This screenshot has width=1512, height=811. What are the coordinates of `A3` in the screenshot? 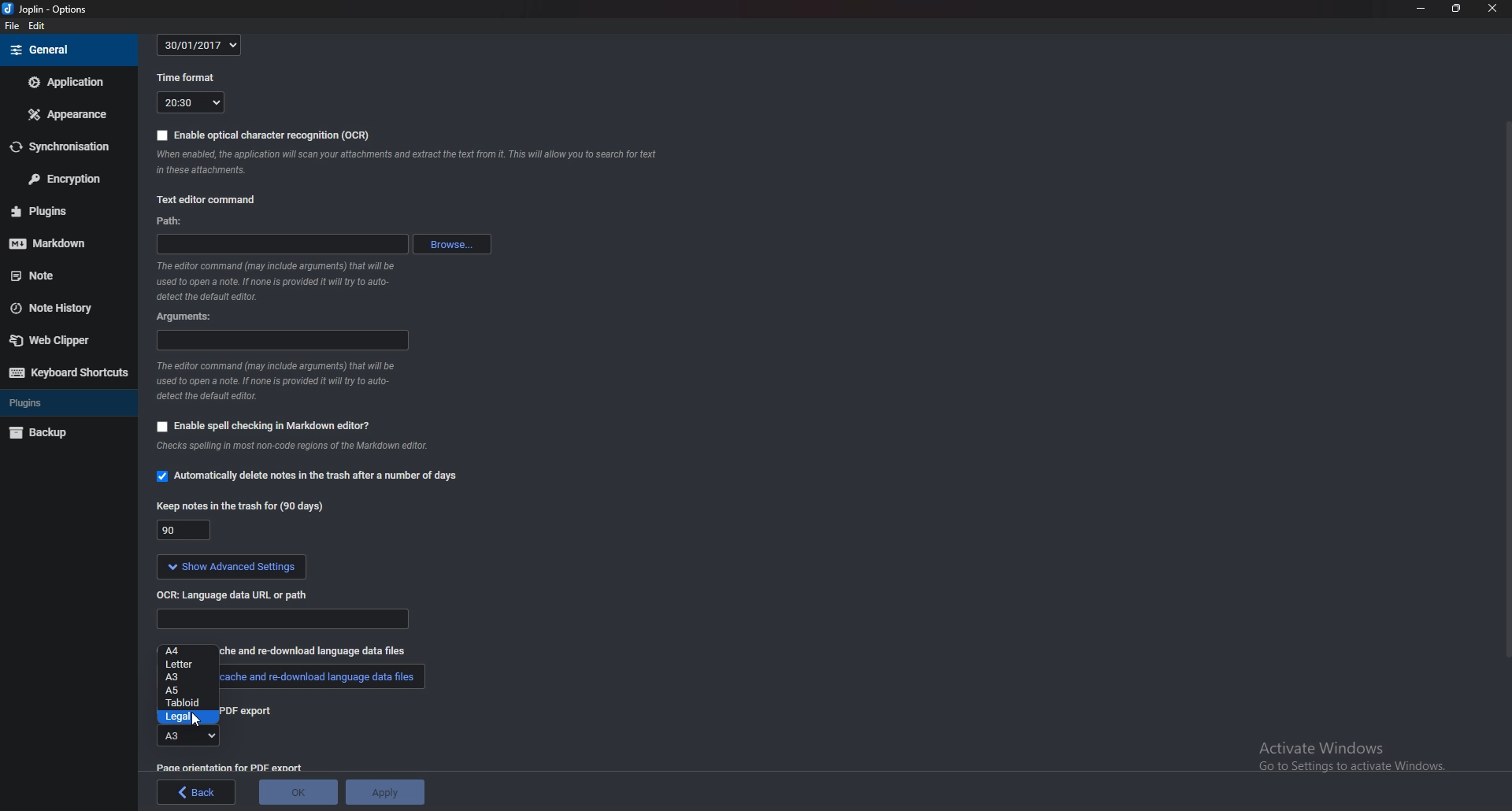 It's located at (185, 735).